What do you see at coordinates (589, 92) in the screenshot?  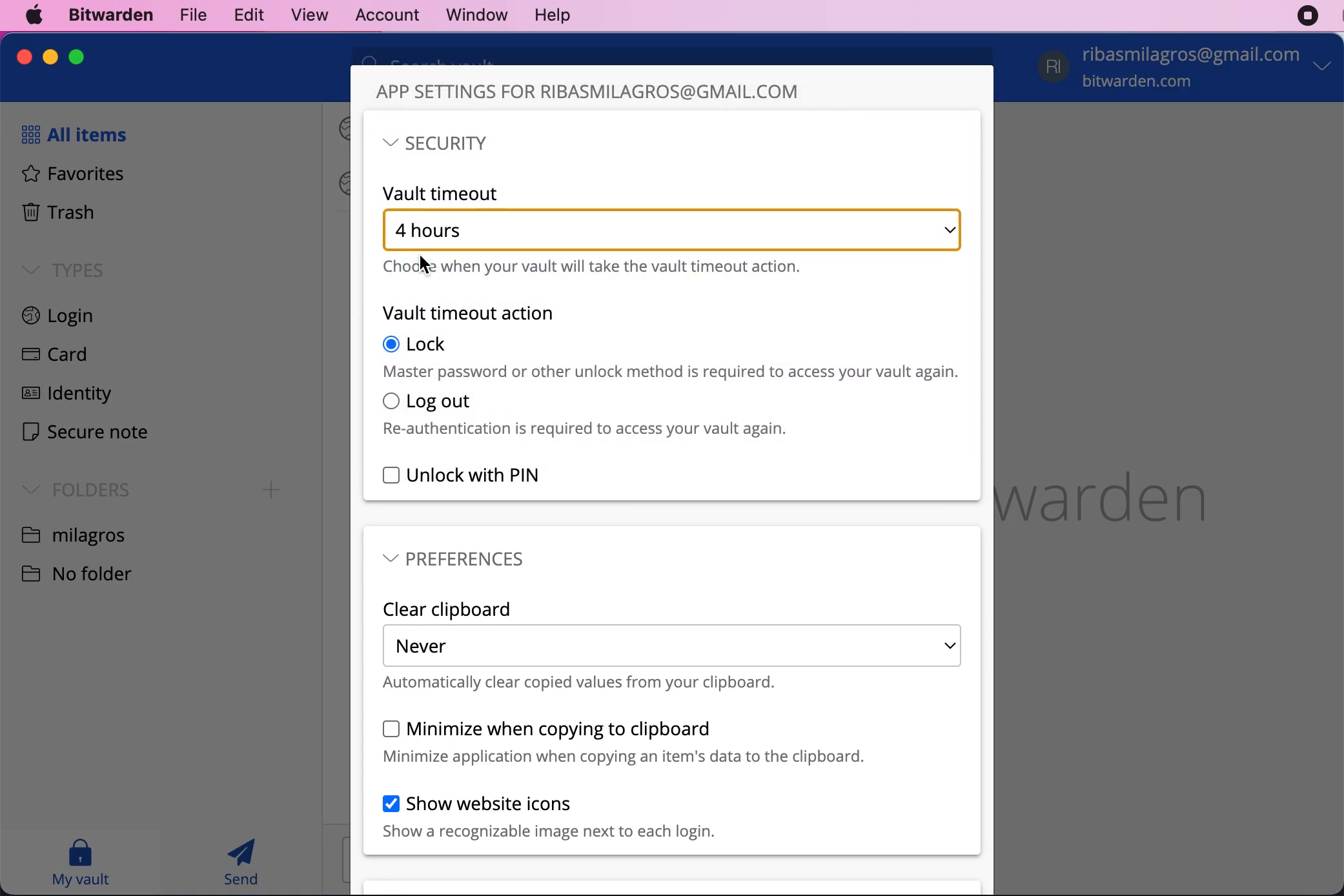 I see `app settings` at bounding box center [589, 92].